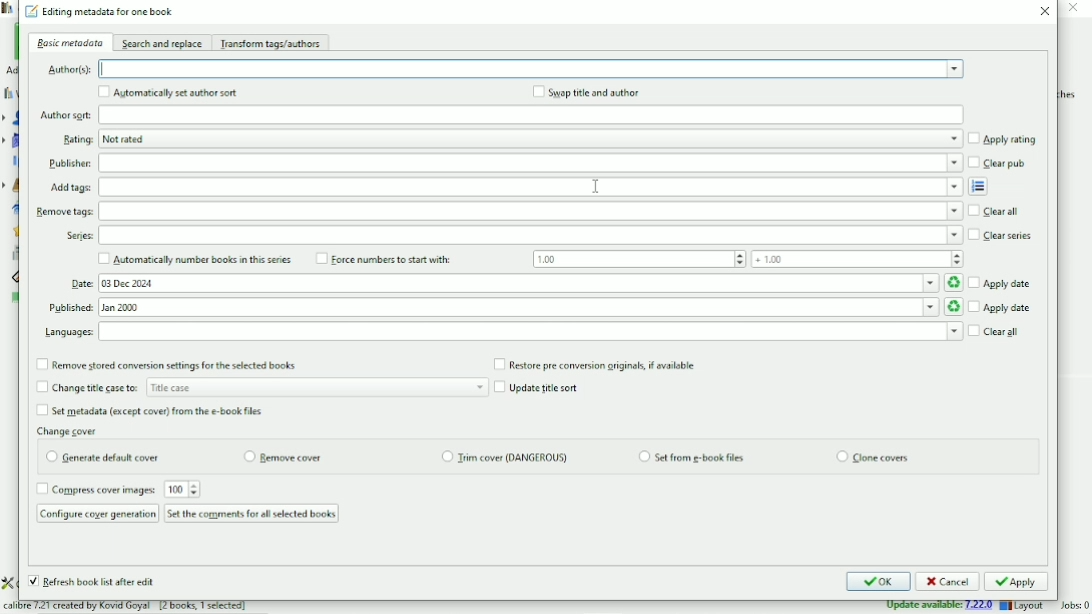  I want to click on Apply date, so click(1001, 308).